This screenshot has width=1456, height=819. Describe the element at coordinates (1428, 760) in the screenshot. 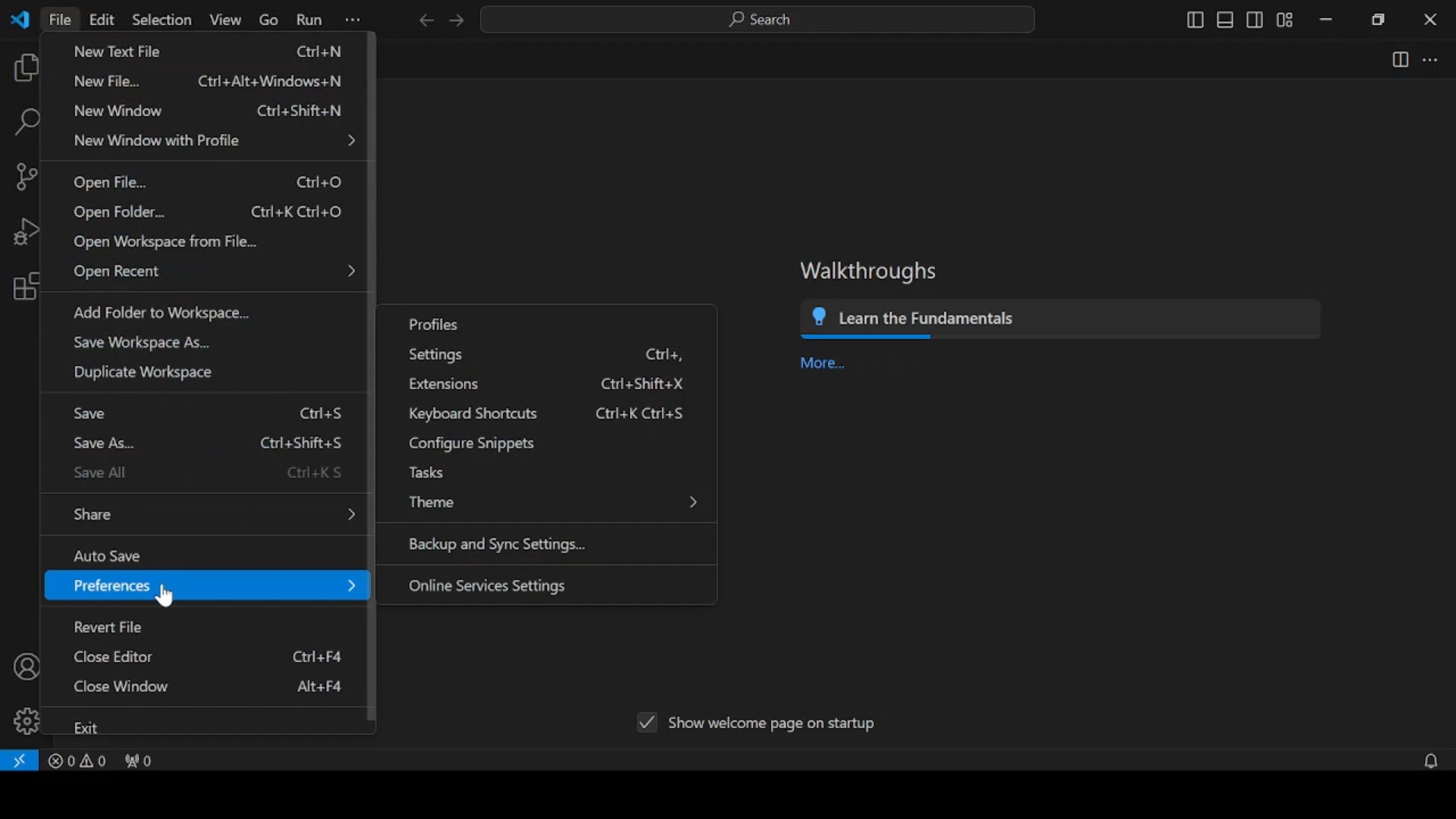

I see `no notifications` at that location.